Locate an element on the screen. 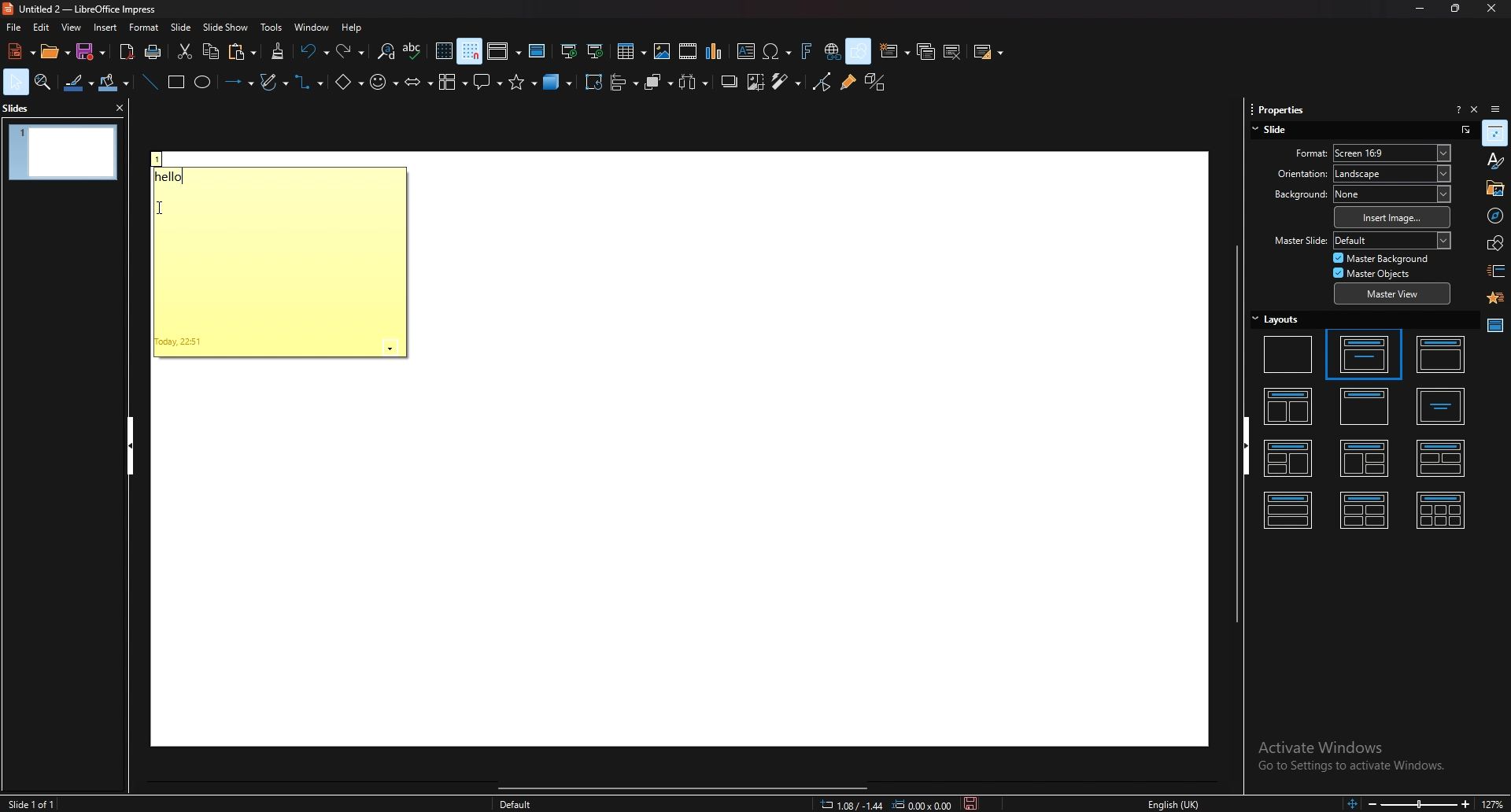 Image resolution: width=1511 pixels, height=812 pixels. layouts is located at coordinates (1276, 319).